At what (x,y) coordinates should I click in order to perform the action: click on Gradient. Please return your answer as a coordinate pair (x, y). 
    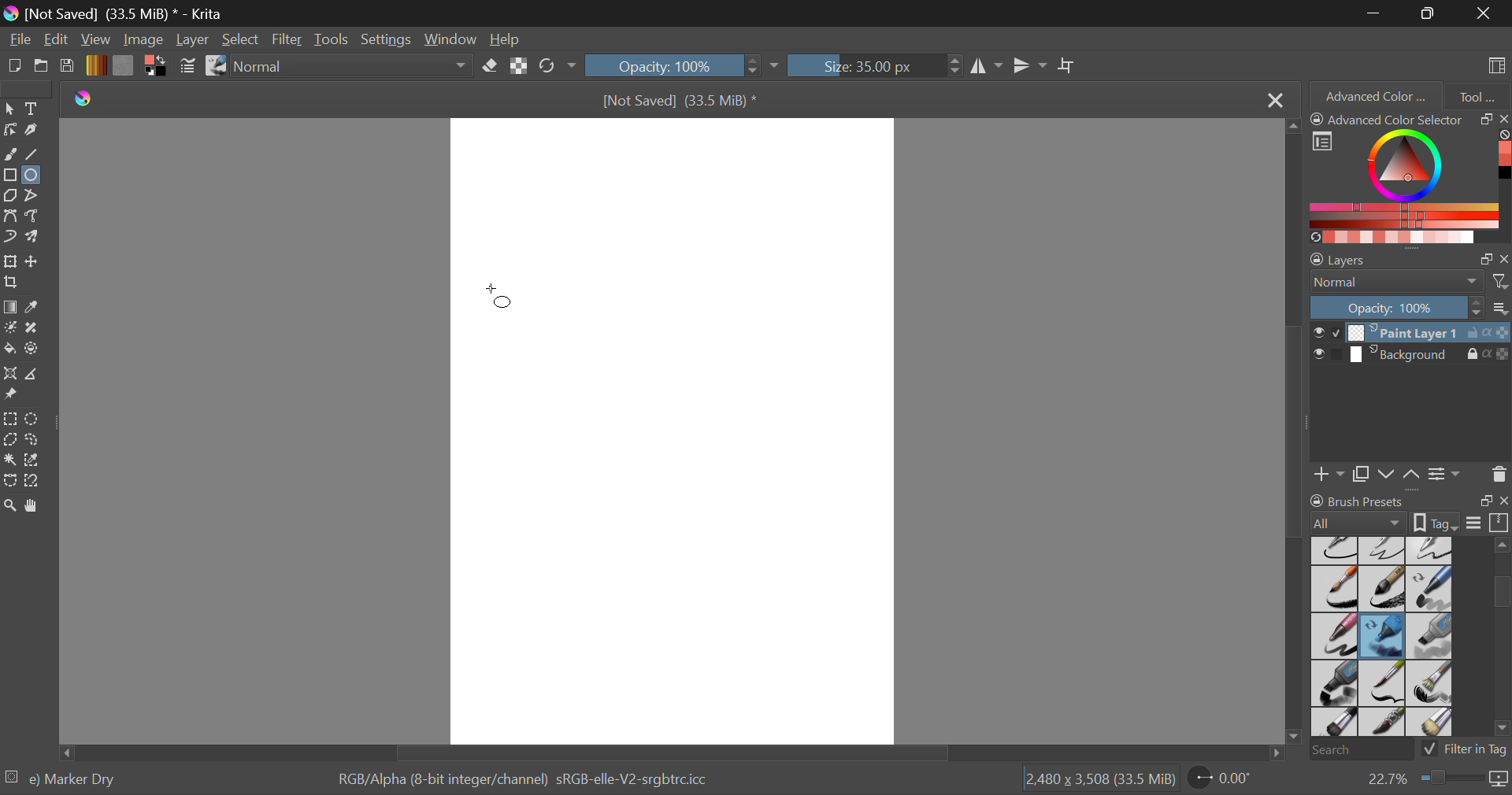
    Looking at the image, I should click on (95, 65).